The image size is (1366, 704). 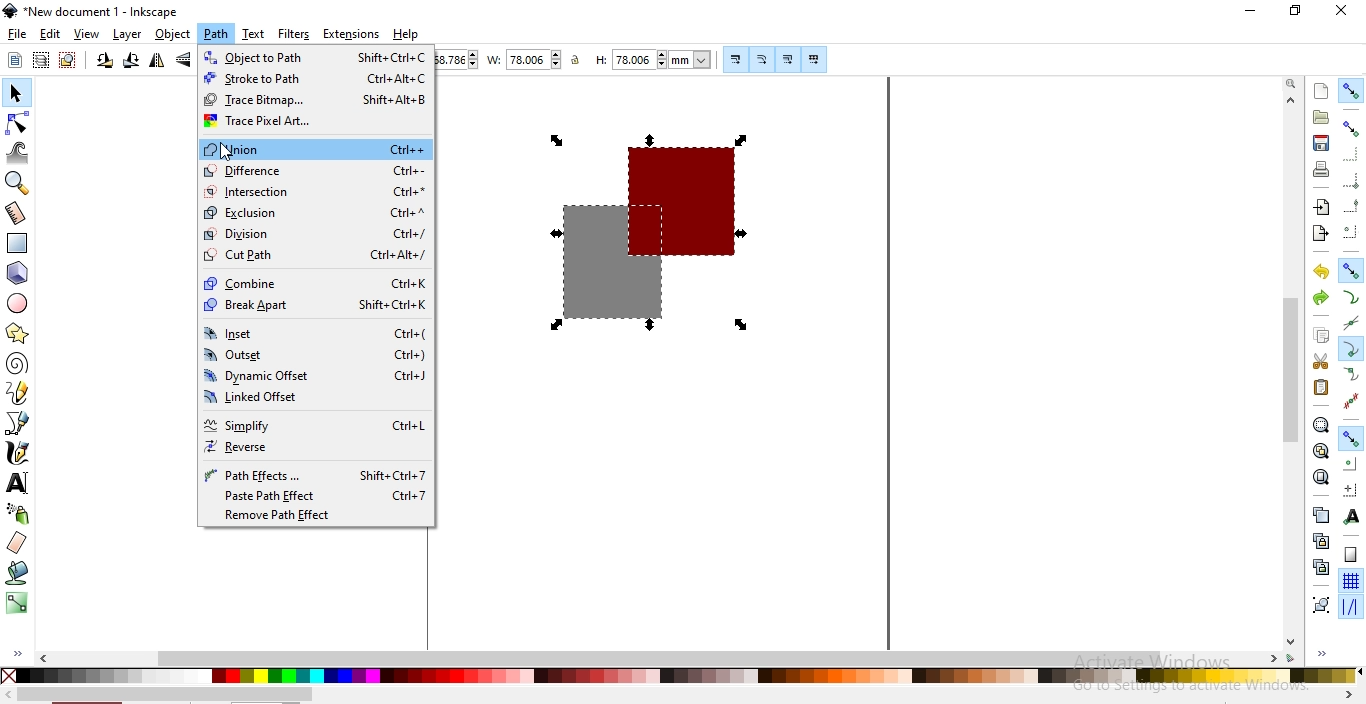 What do you see at coordinates (1352, 206) in the screenshot?
I see `snap midpoints of bounding box edges` at bounding box center [1352, 206].